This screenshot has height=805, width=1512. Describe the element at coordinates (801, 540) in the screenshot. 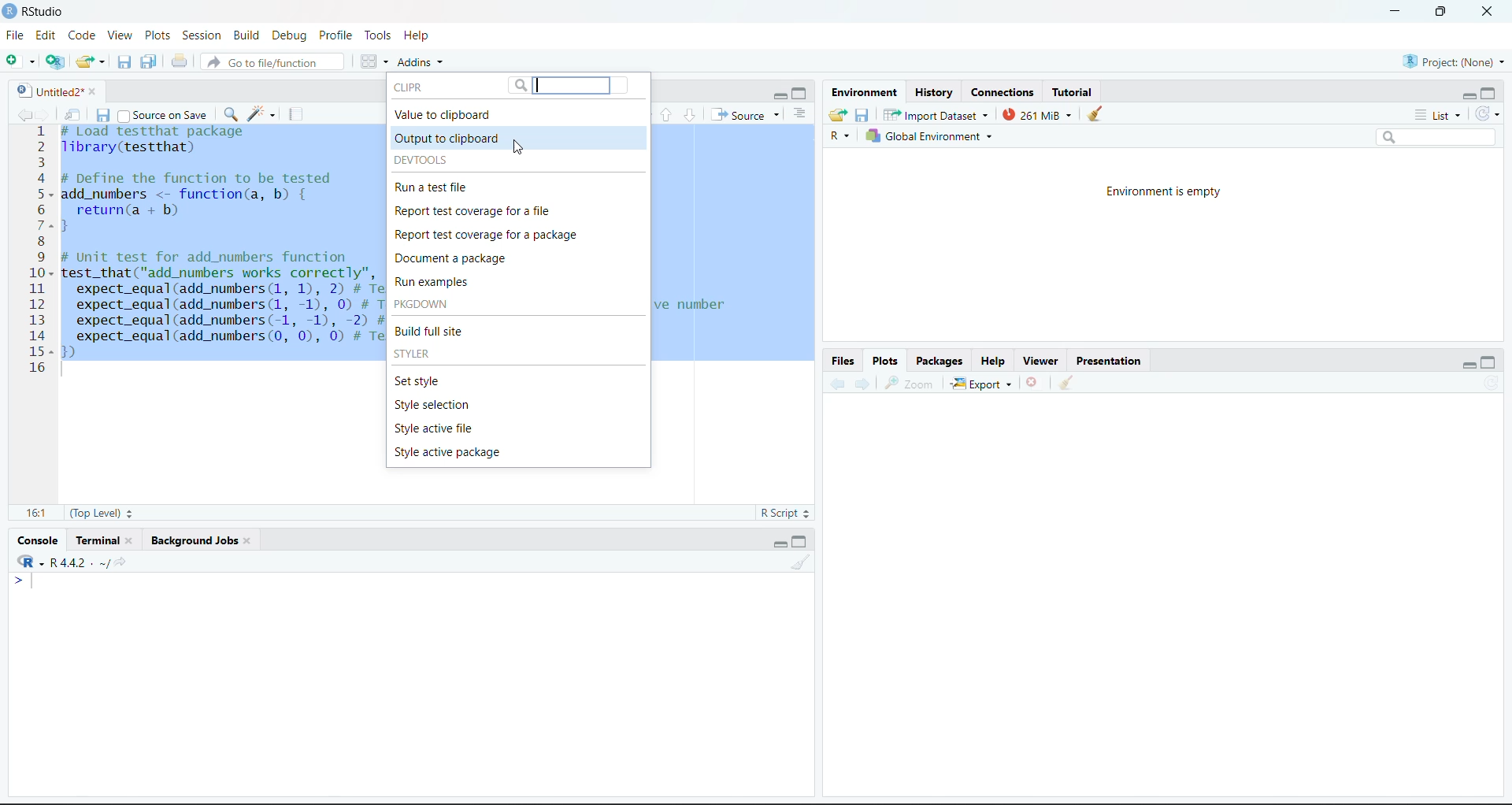

I see `maximize` at that location.